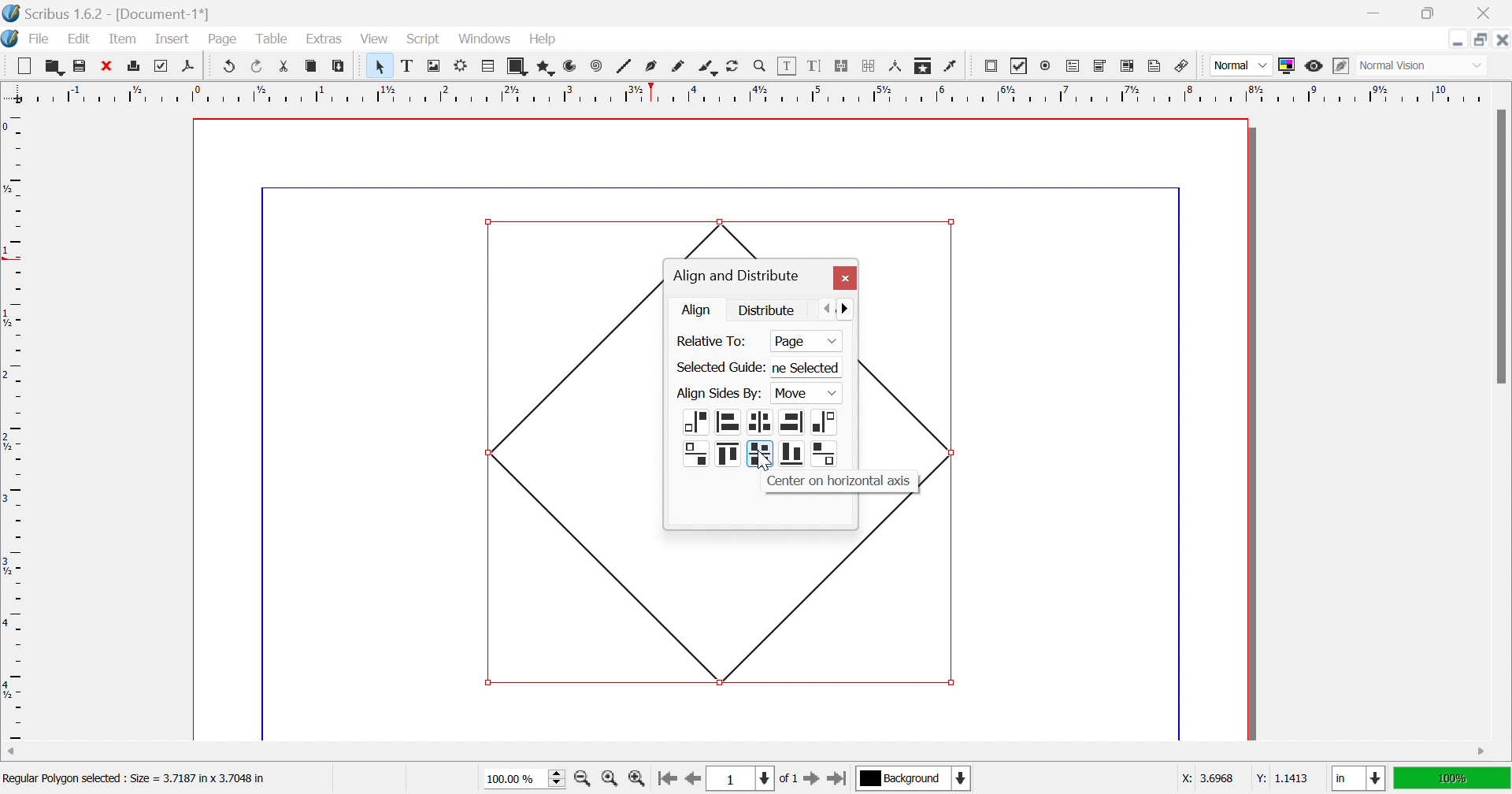 The height and width of the screenshot is (794, 1512). What do you see at coordinates (230, 66) in the screenshot?
I see `Undo` at bounding box center [230, 66].